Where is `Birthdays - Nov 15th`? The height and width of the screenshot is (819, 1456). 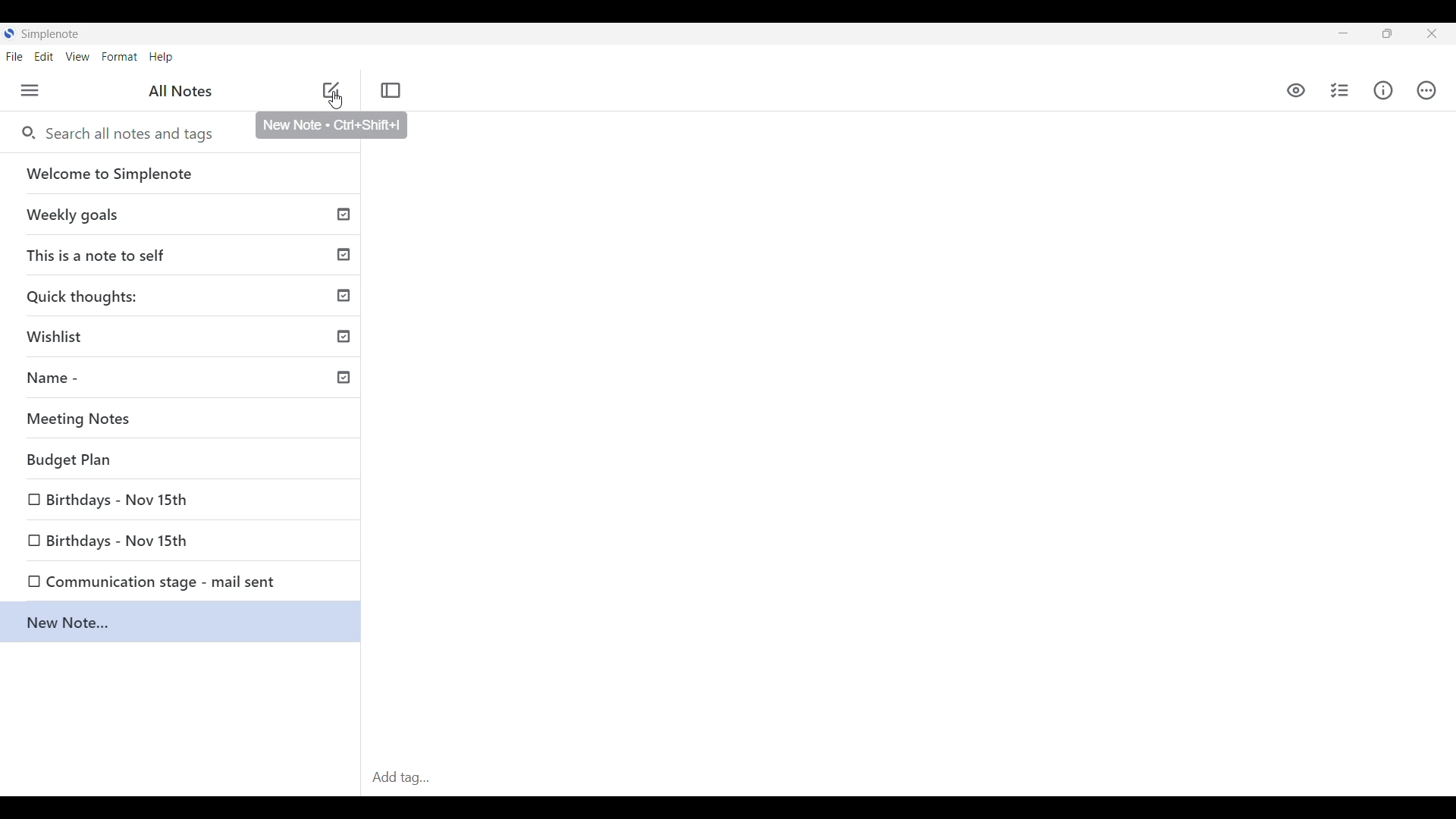
Birthdays - Nov 15th is located at coordinates (119, 538).